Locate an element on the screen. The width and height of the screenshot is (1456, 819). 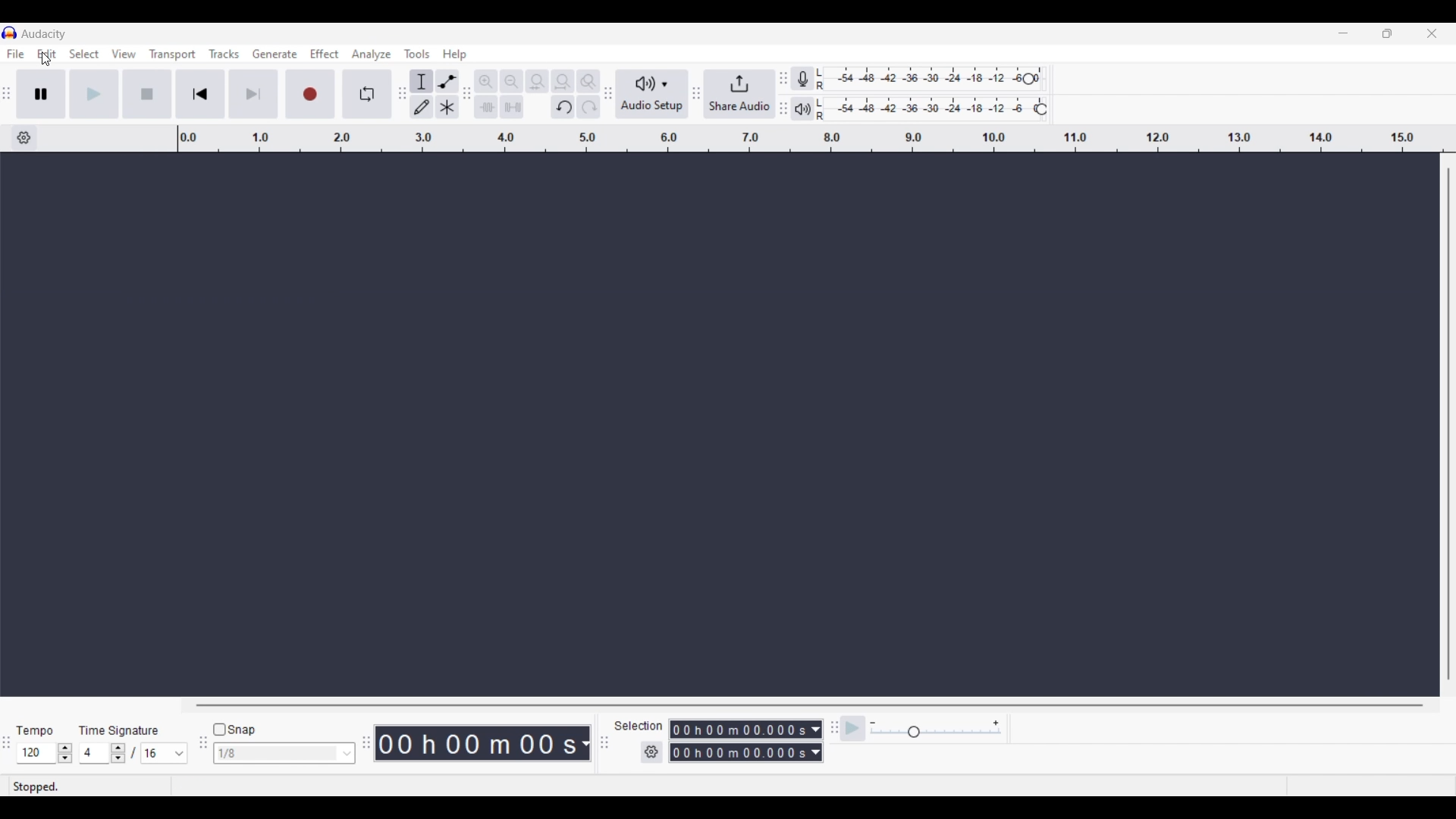
Vertical slide bar is located at coordinates (1448, 424).